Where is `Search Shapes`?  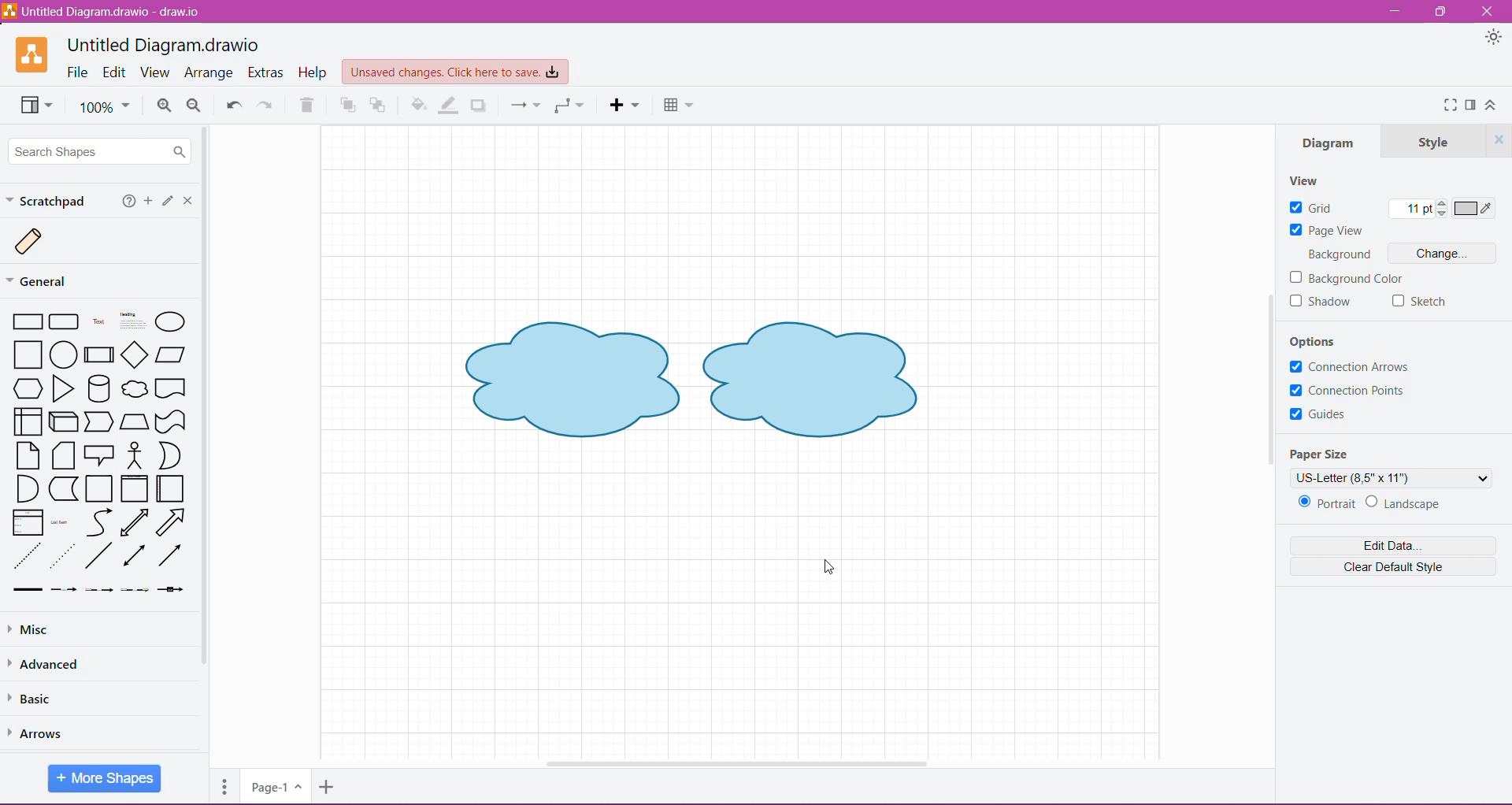 Search Shapes is located at coordinates (98, 150).